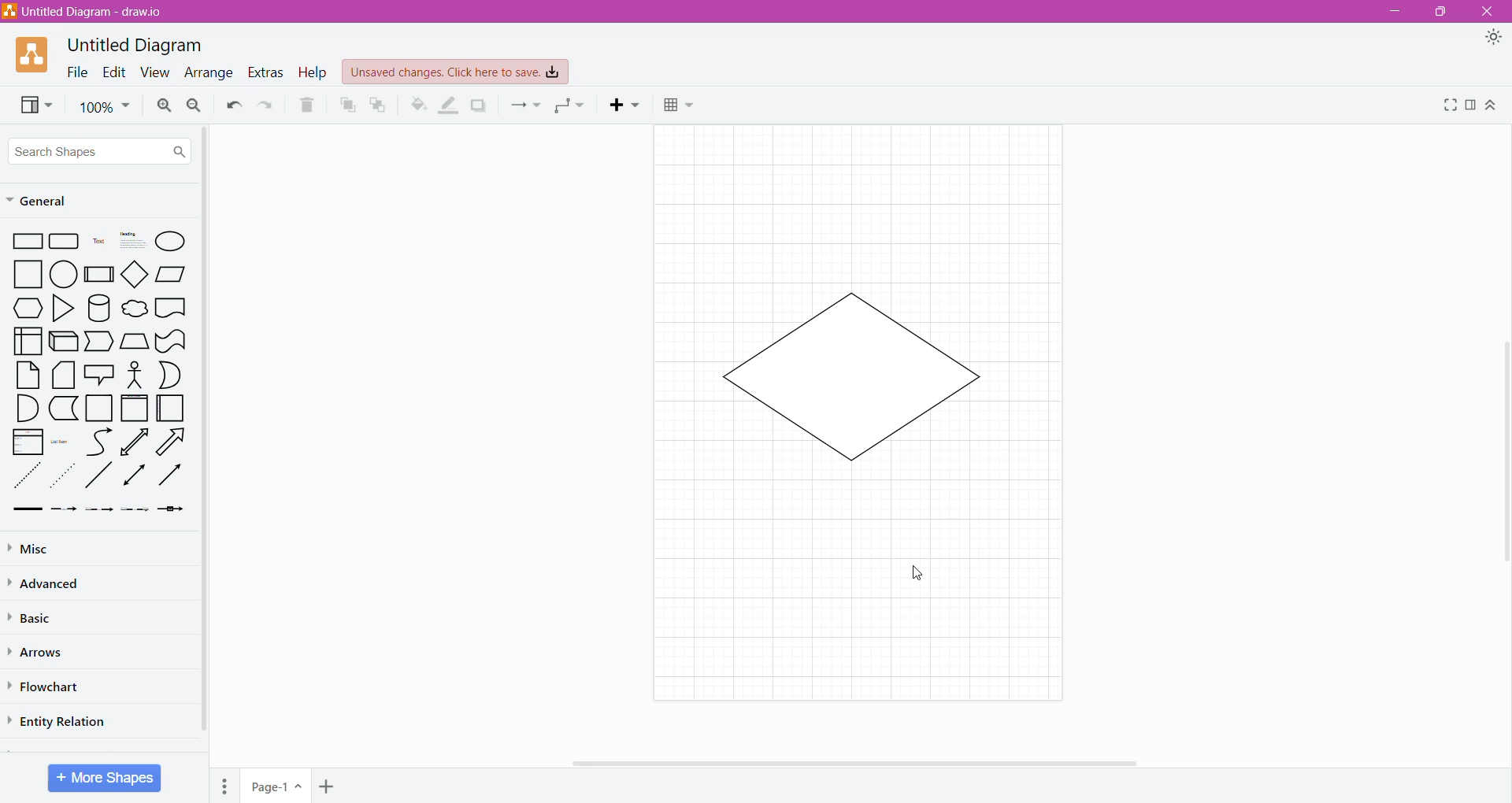 Image resolution: width=1512 pixels, height=803 pixels. I want to click on Page-1, so click(274, 786).